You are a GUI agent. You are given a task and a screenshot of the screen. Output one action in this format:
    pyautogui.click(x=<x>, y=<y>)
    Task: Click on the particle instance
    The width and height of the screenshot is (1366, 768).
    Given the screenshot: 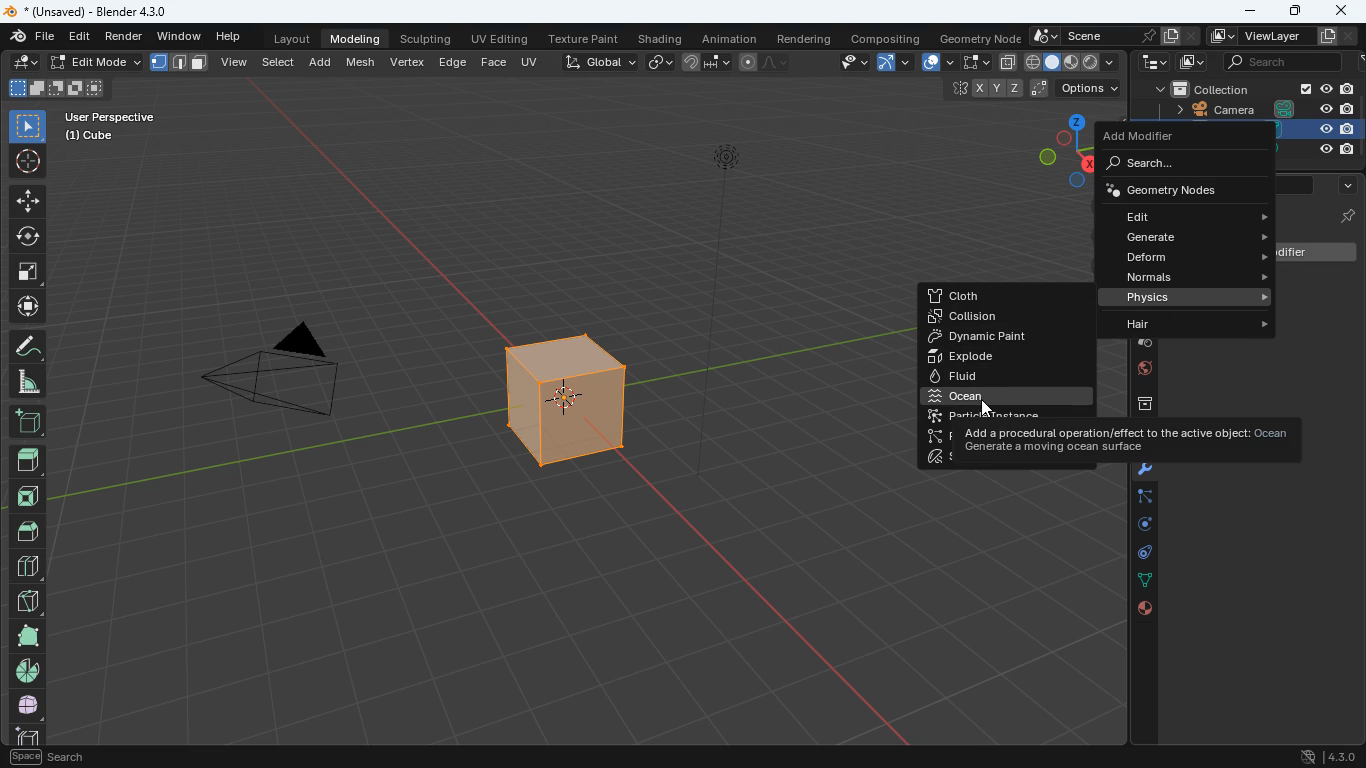 What is the action you would take?
    pyautogui.click(x=987, y=416)
    